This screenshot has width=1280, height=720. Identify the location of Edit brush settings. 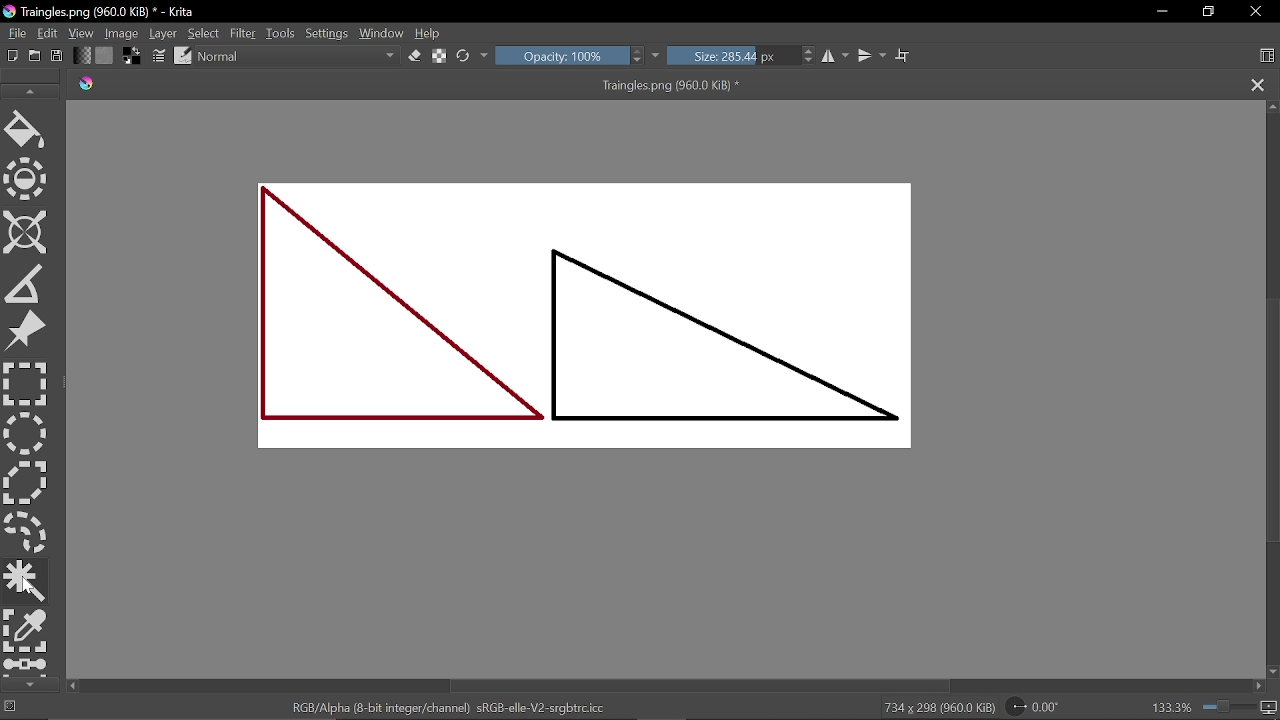
(160, 56).